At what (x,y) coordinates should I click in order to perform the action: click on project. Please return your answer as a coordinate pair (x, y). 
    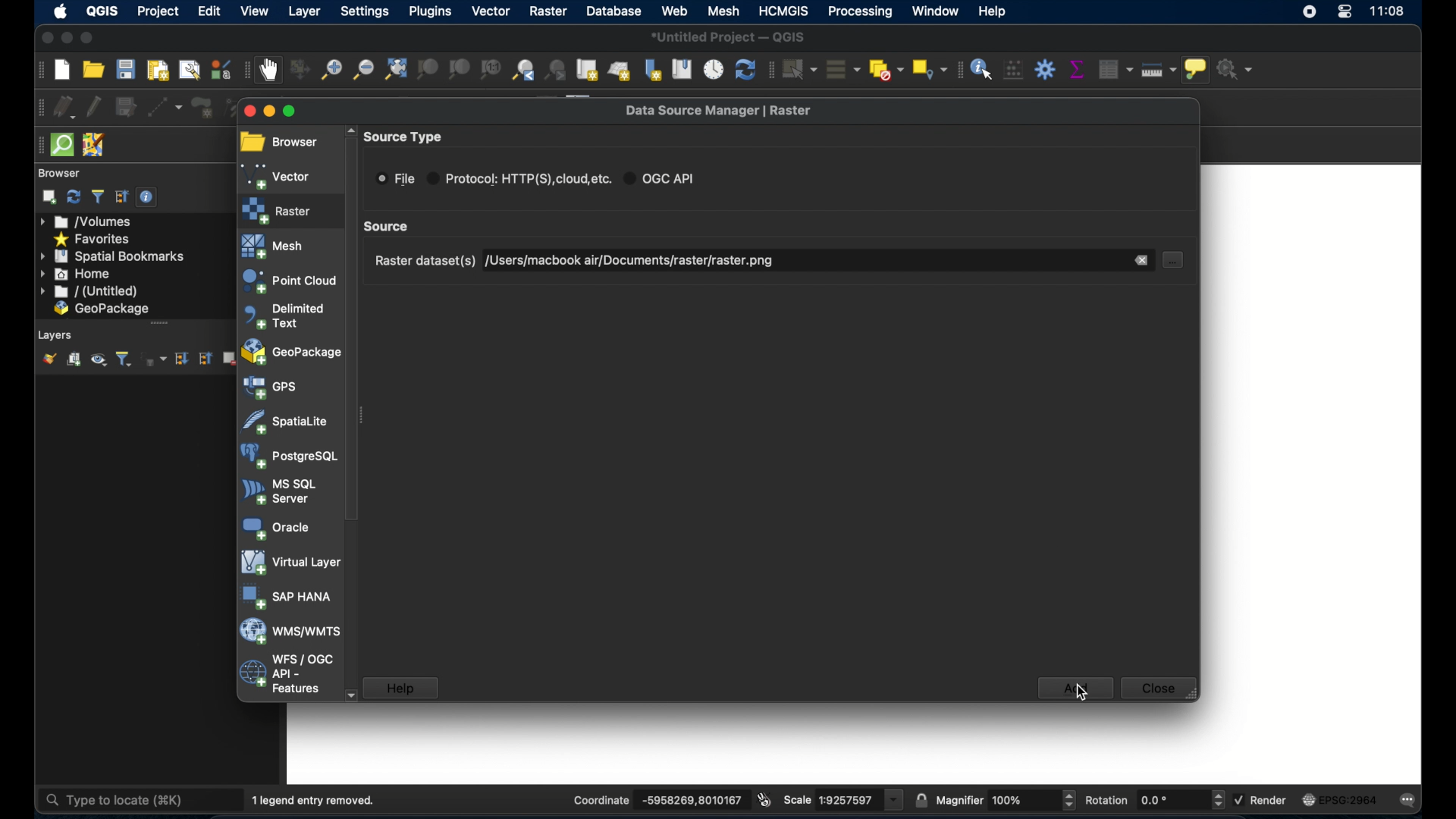
    Looking at the image, I should click on (158, 11).